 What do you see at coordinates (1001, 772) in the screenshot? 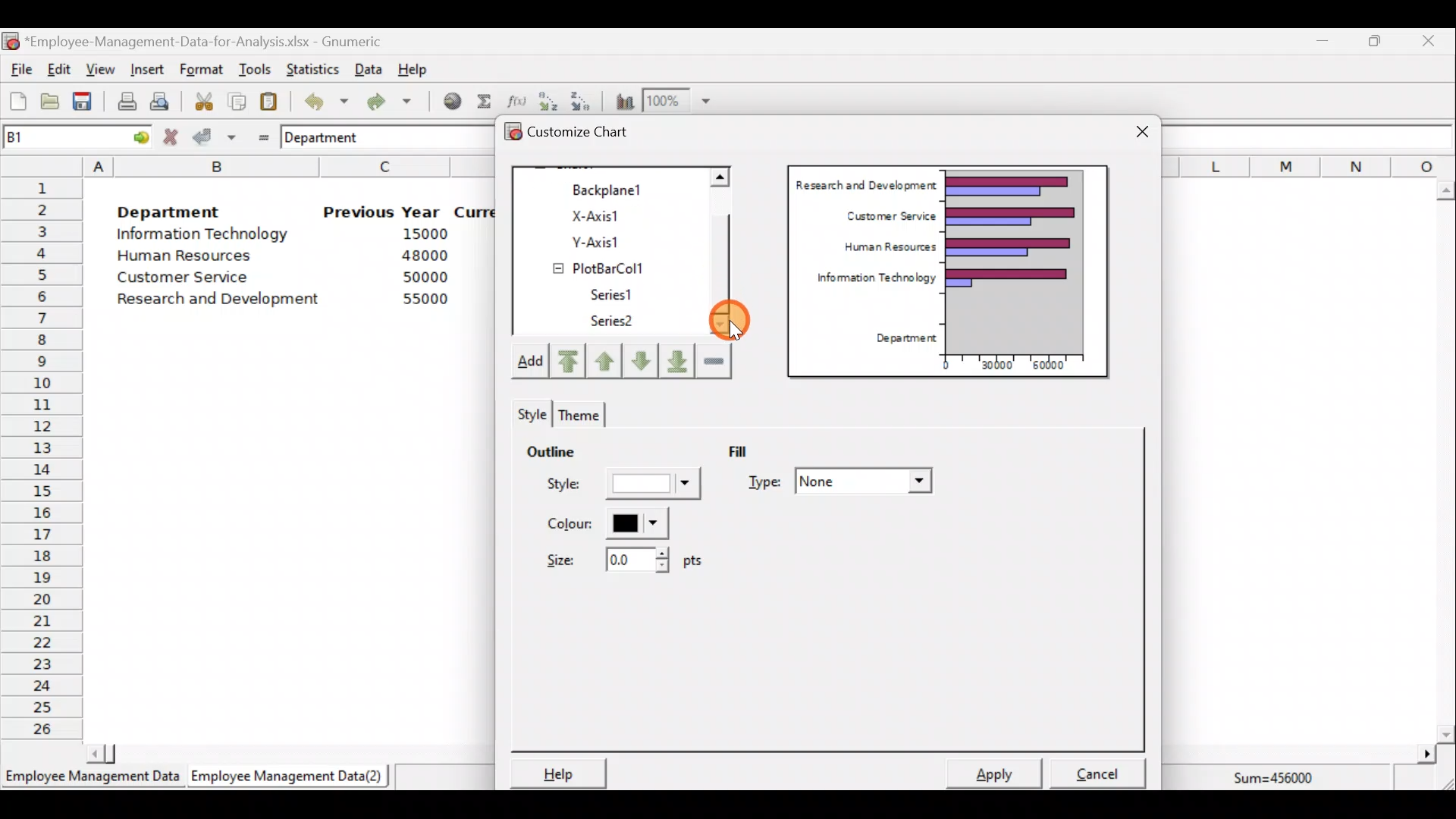
I see `Apply` at bounding box center [1001, 772].